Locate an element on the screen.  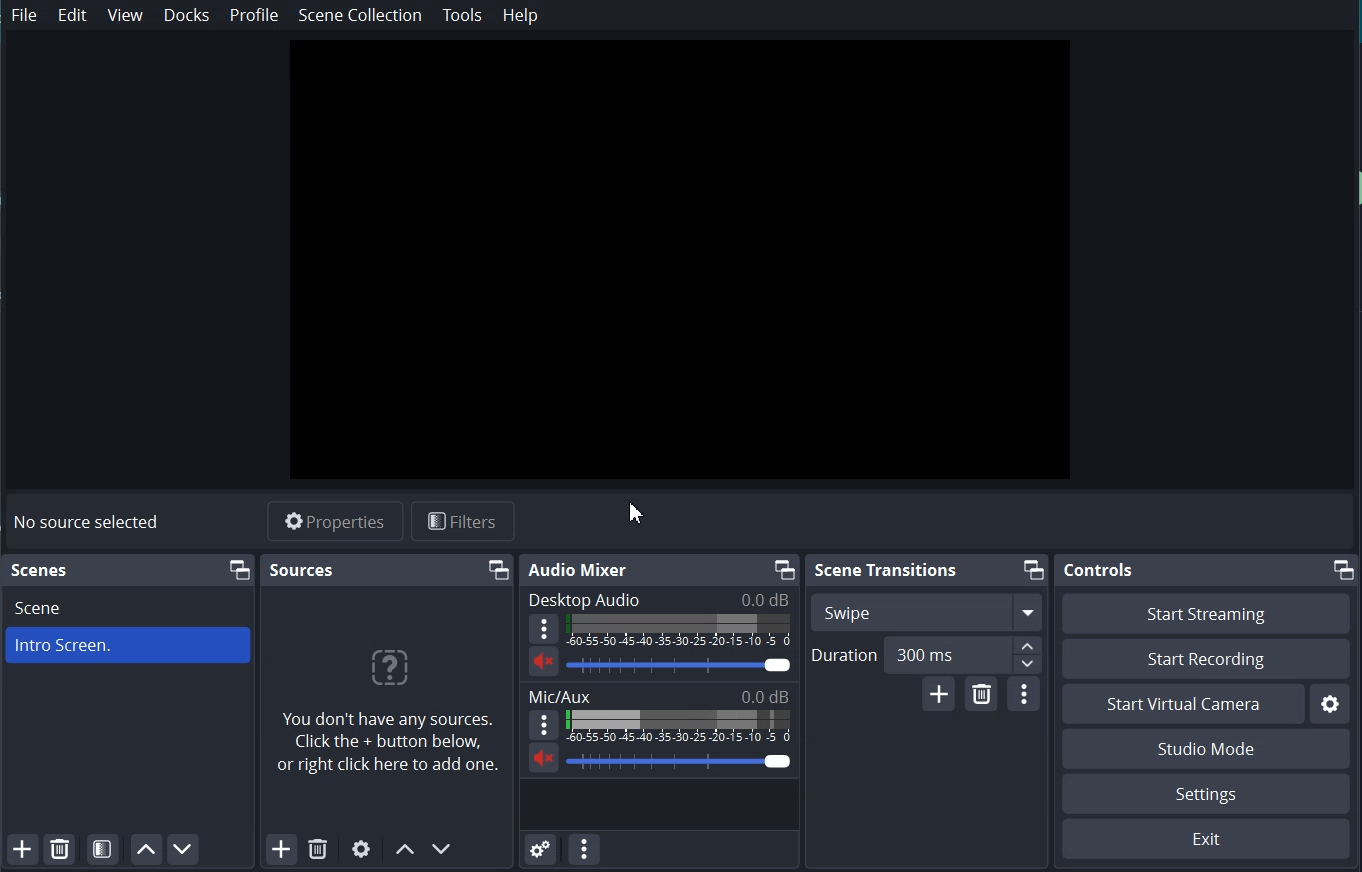
Help is located at coordinates (521, 15).